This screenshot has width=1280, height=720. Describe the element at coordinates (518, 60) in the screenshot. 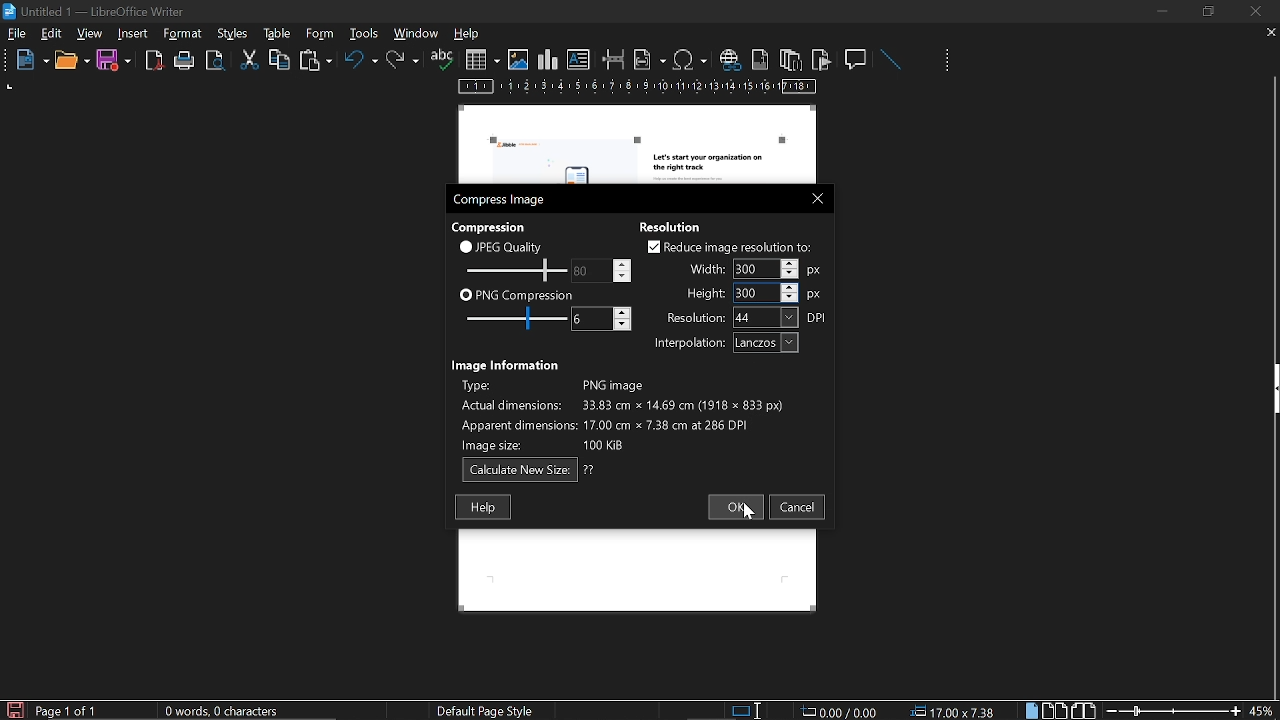

I see `insert image` at that location.